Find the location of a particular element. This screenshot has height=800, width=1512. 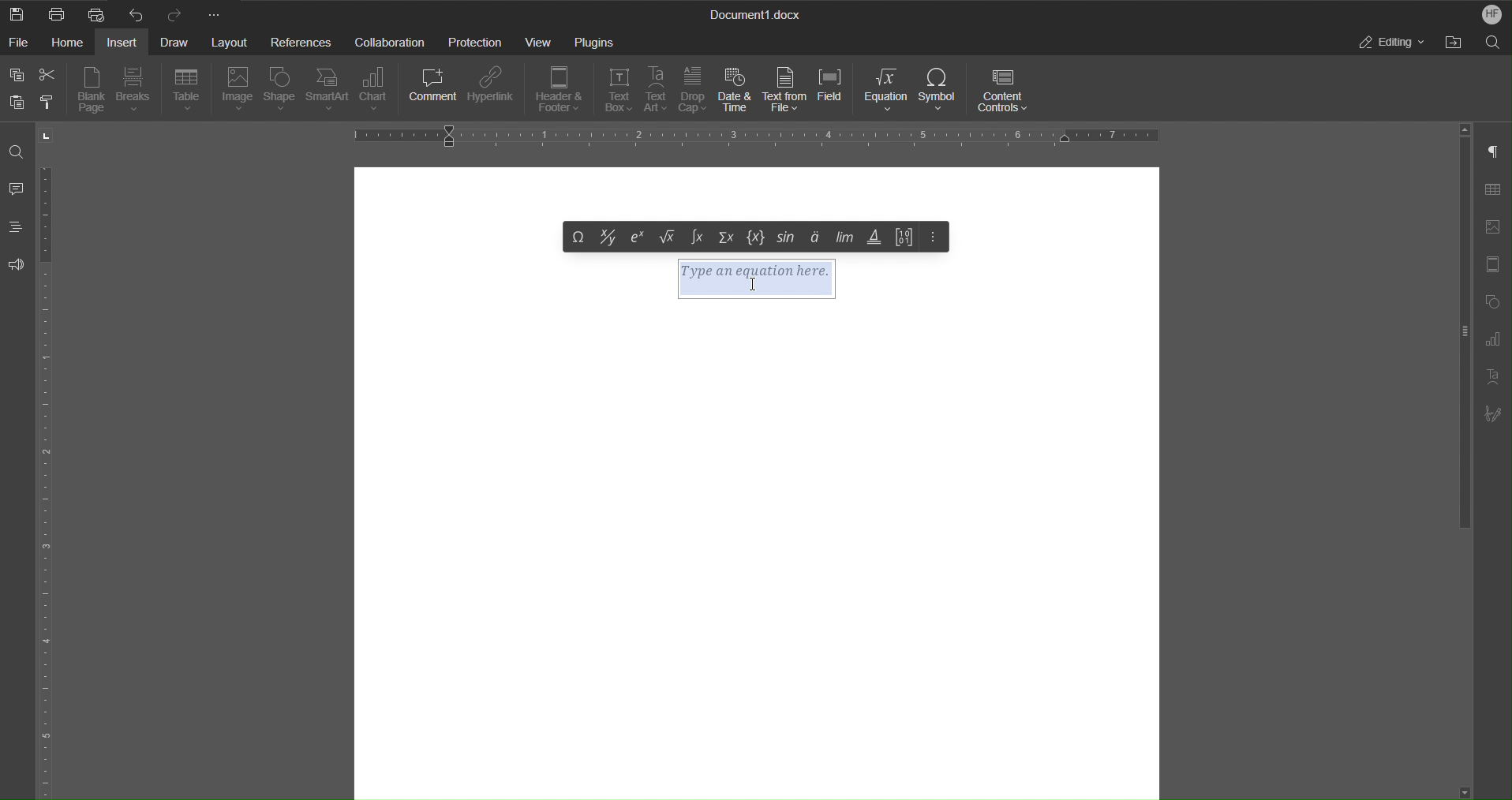

Chart is located at coordinates (376, 90).